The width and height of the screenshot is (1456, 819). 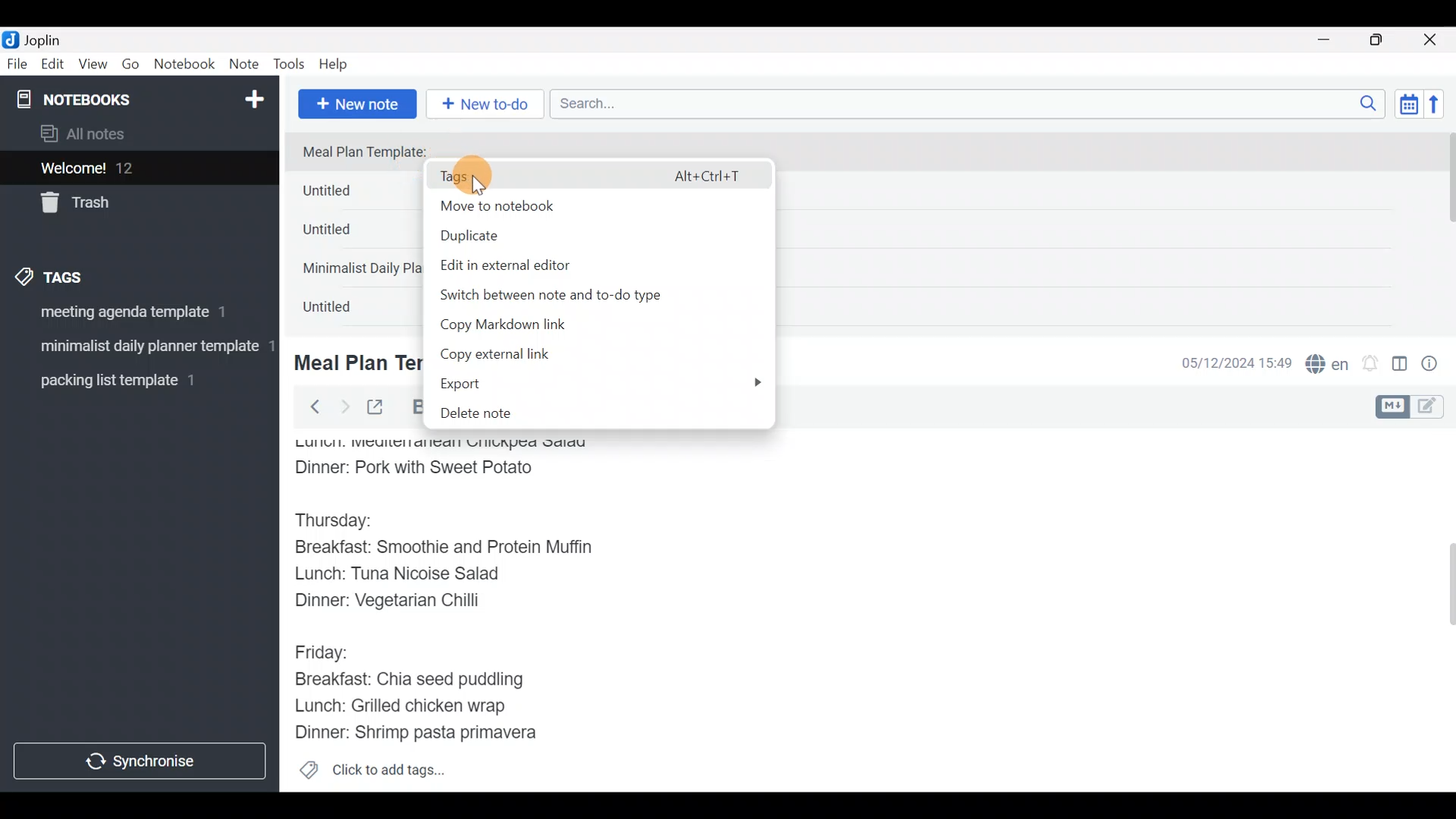 I want to click on Tags  Alt+Ctrl+T, so click(x=595, y=177).